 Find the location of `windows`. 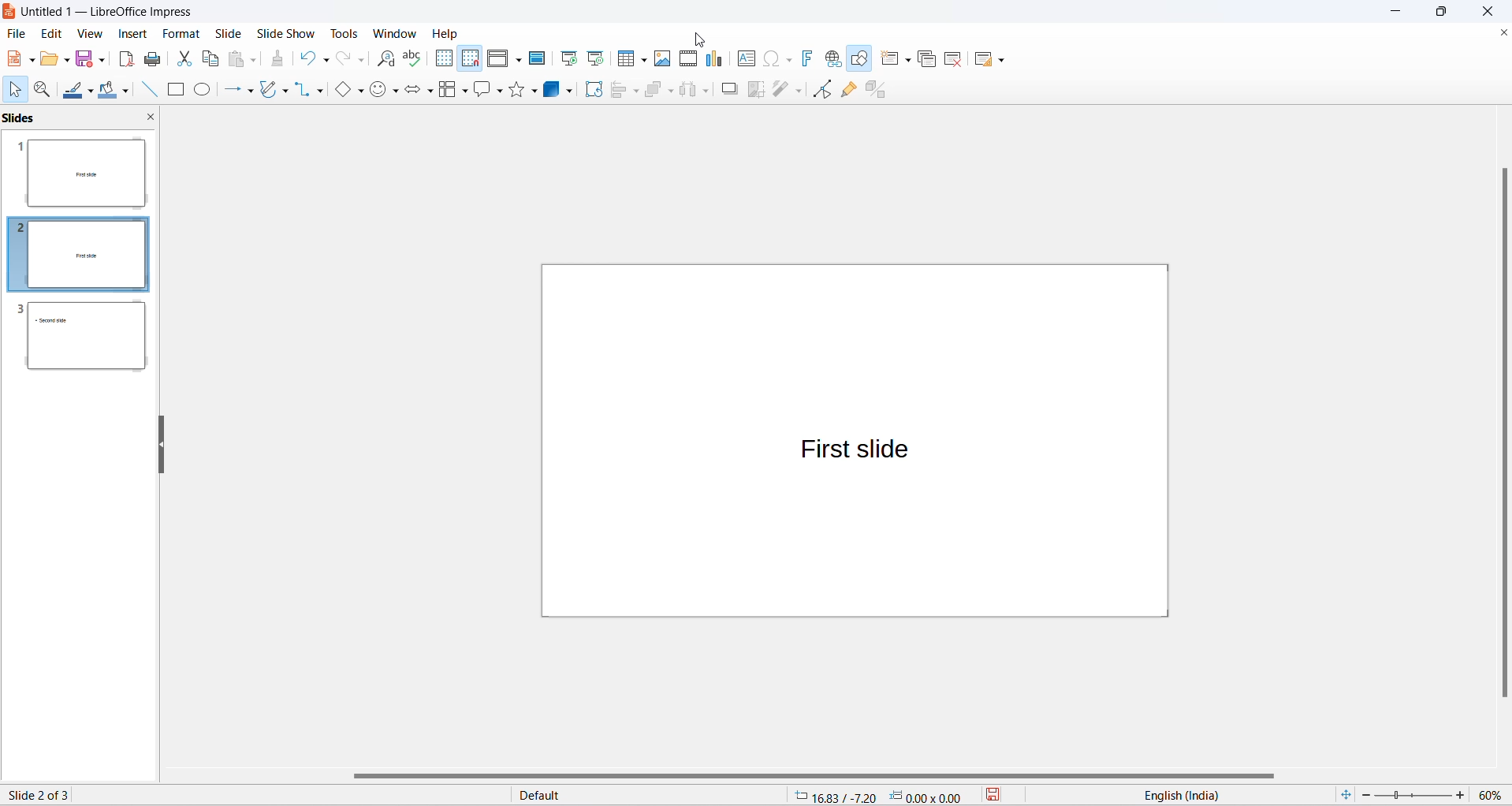

windows is located at coordinates (401, 32).